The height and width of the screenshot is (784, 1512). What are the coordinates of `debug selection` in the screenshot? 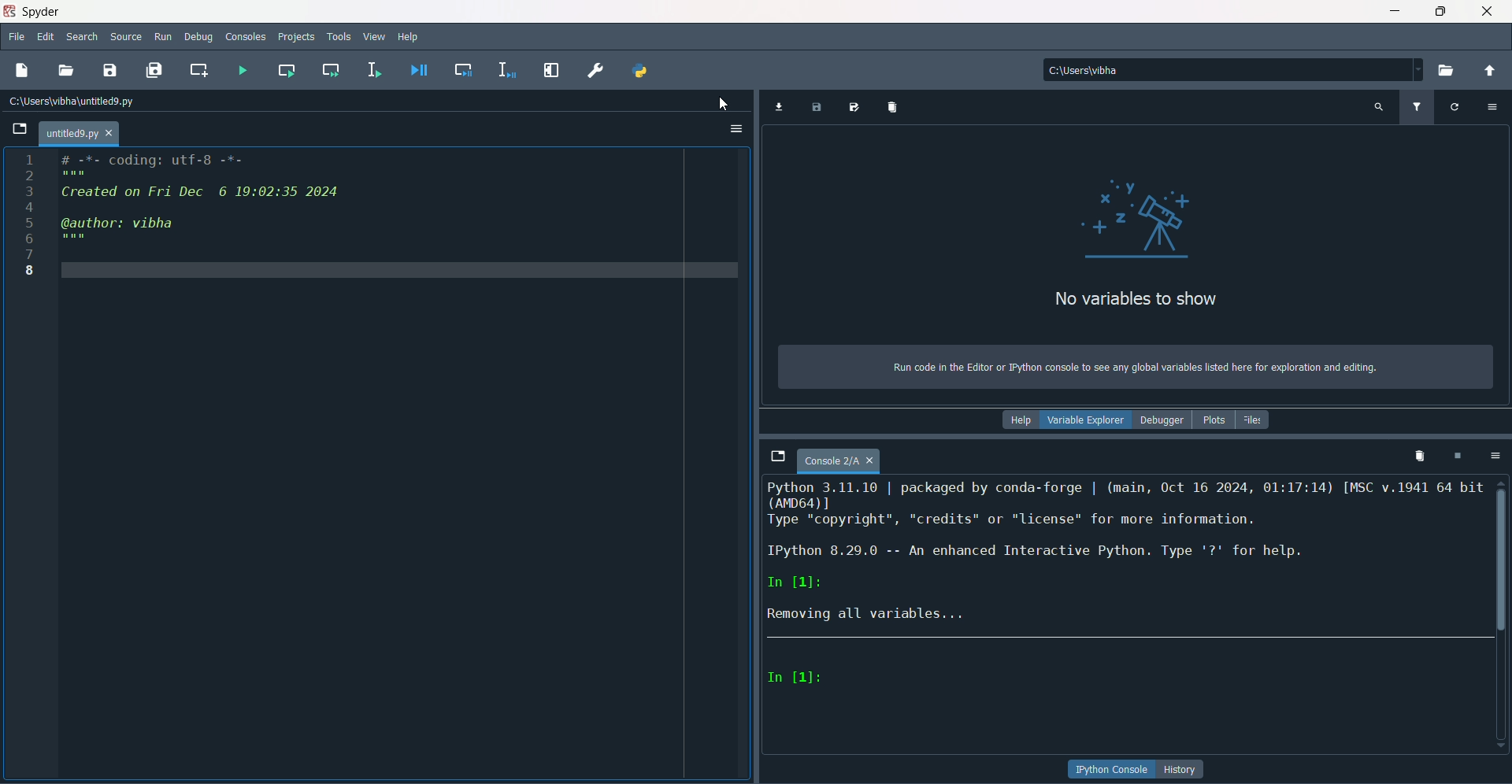 It's located at (504, 70).